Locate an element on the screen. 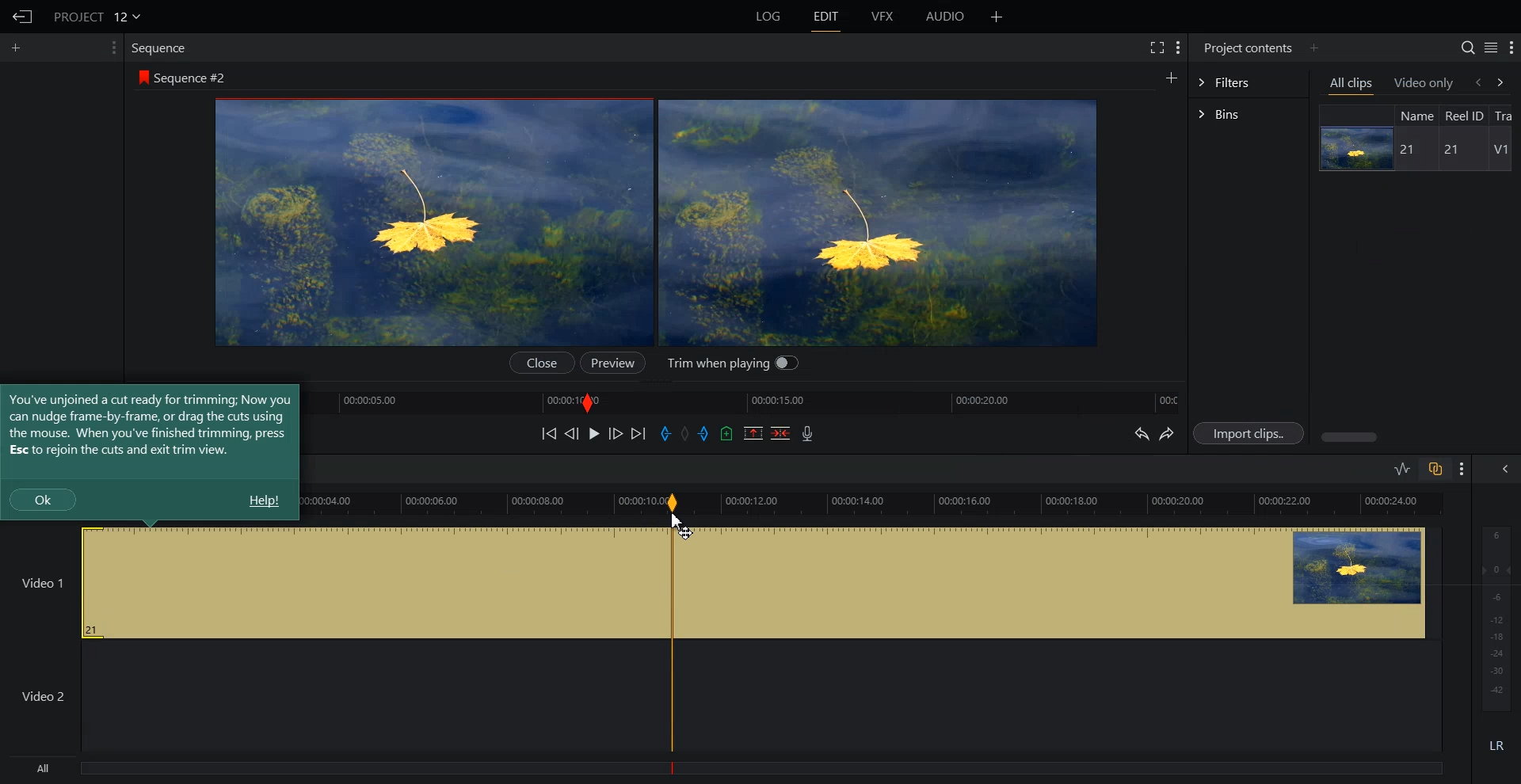 This screenshot has width=1521, height=784. Clear all Marks is located at coordinates (685, 432).